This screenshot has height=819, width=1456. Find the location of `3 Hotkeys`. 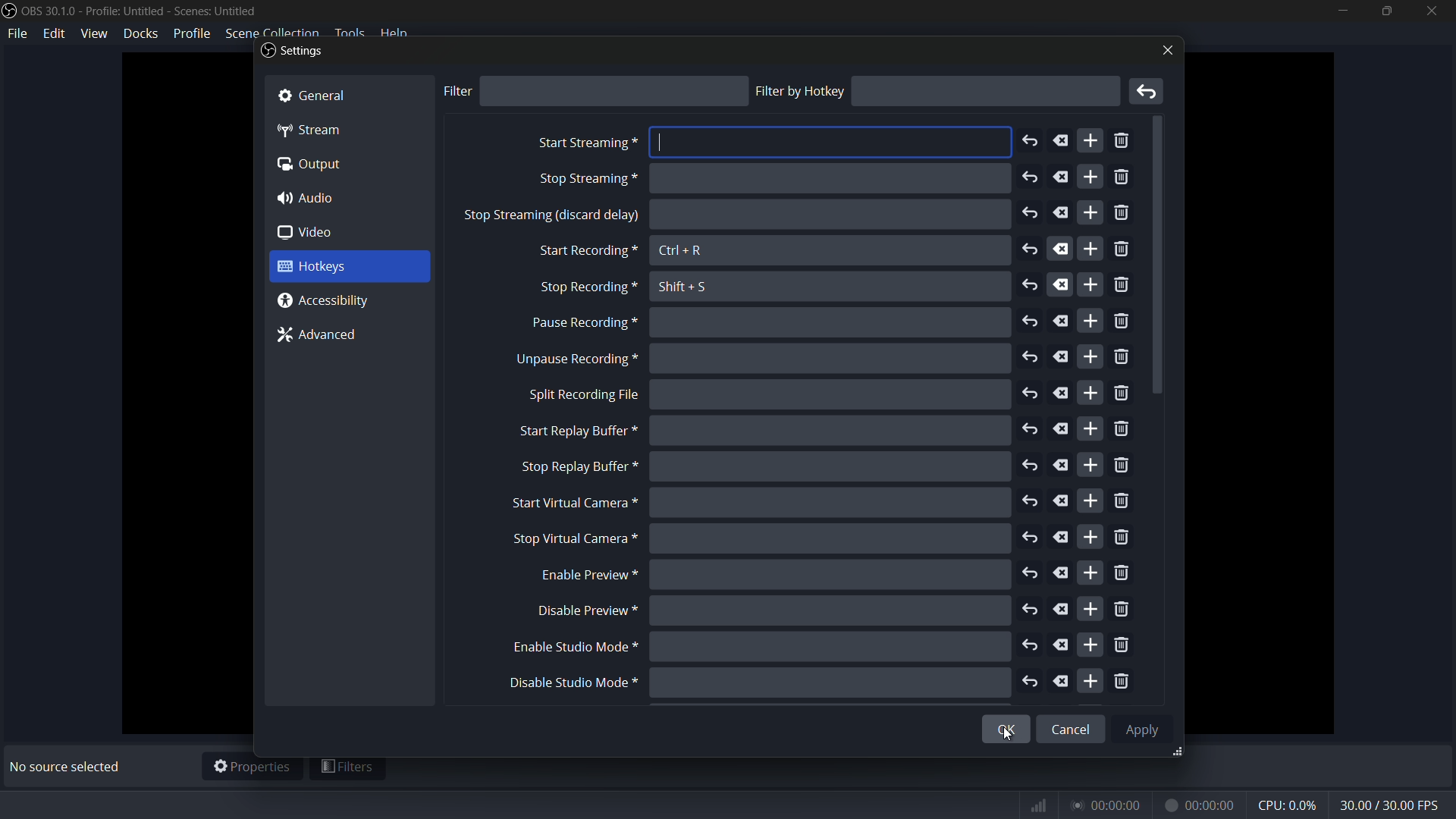

3 Hotkeys is located at coordinates (334, 267).